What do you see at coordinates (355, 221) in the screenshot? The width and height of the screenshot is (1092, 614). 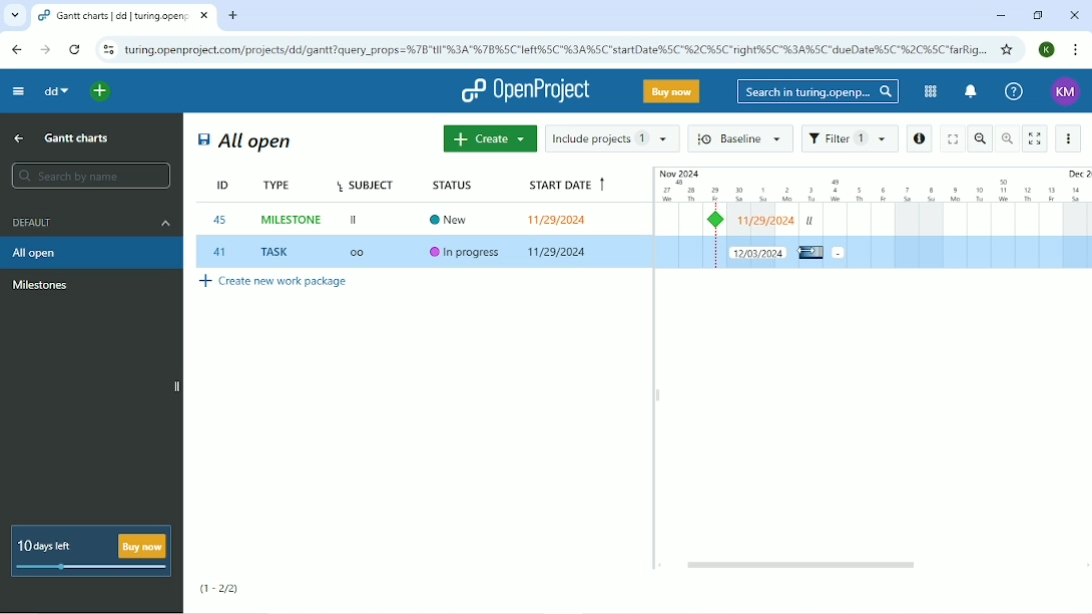 I see `II` at bounding box center [355, 221].